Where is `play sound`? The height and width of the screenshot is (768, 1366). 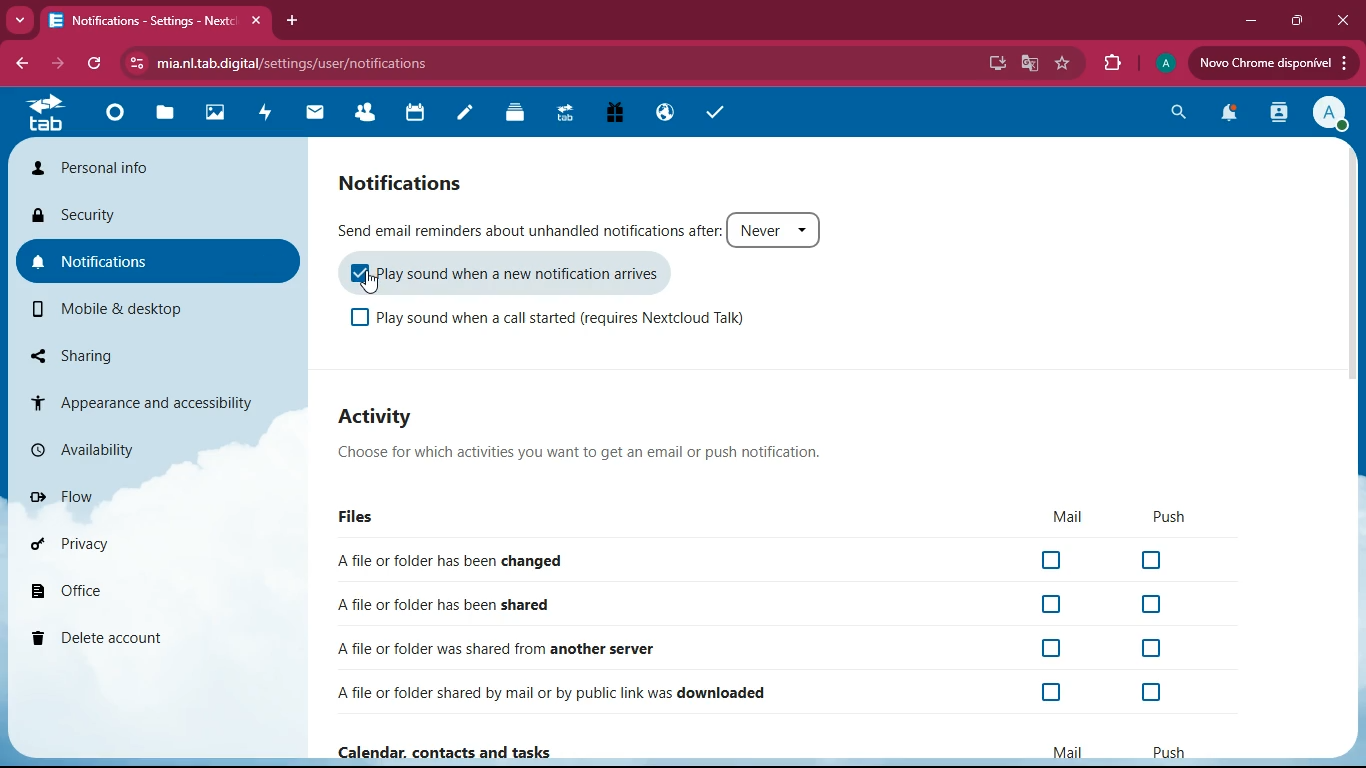
play sound is located at coordinates (540, 277).